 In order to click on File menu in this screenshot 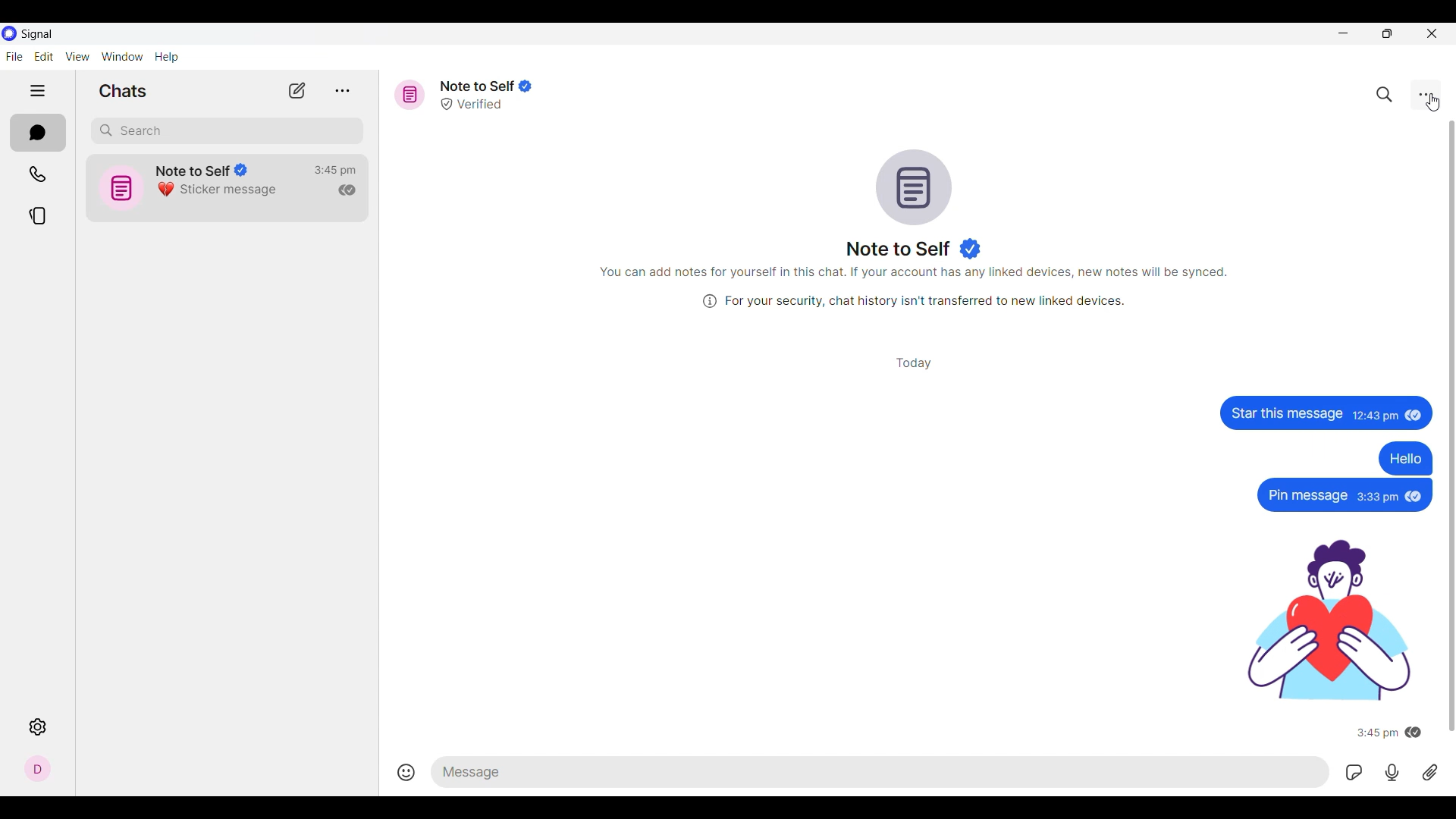, I will do `click(14, 56)`.